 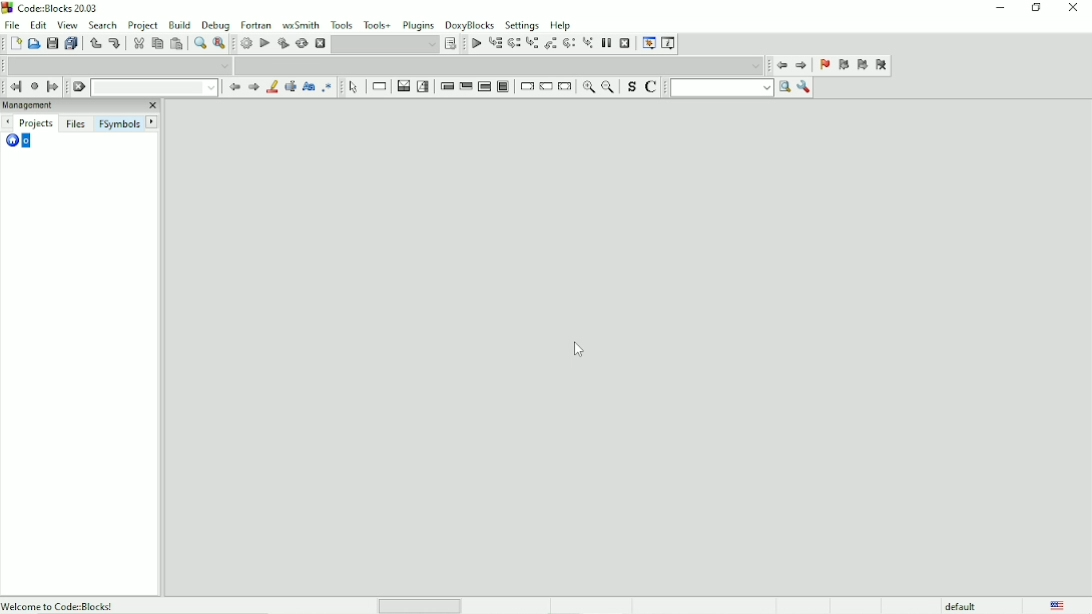 What do you see at coordinates (451, 44) in the screenshot?
I see `Show the select target dialog` at bounding box center [451, 44].